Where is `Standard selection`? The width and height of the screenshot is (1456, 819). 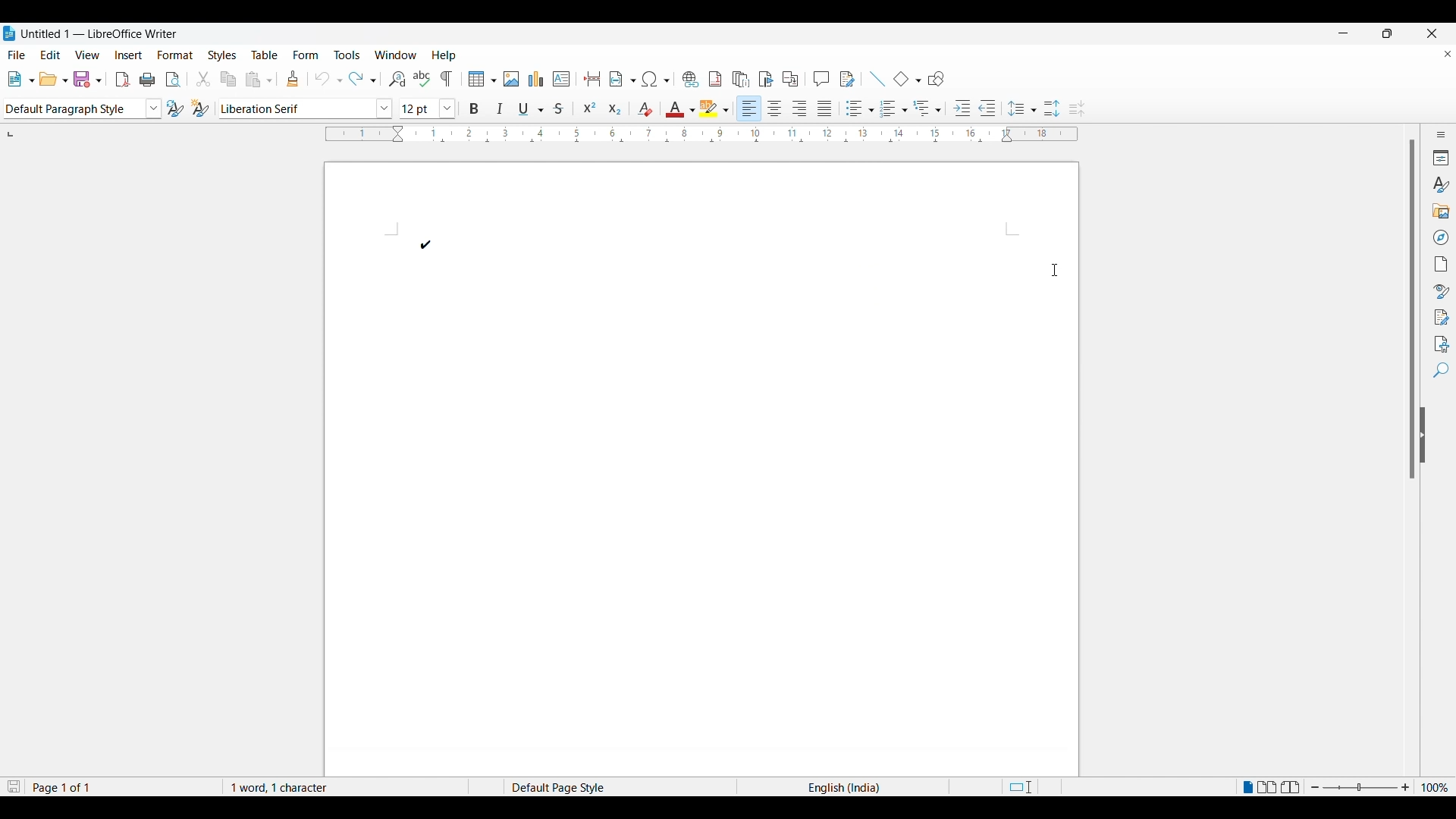 Standard selection is located at coordinates (1043, 786).